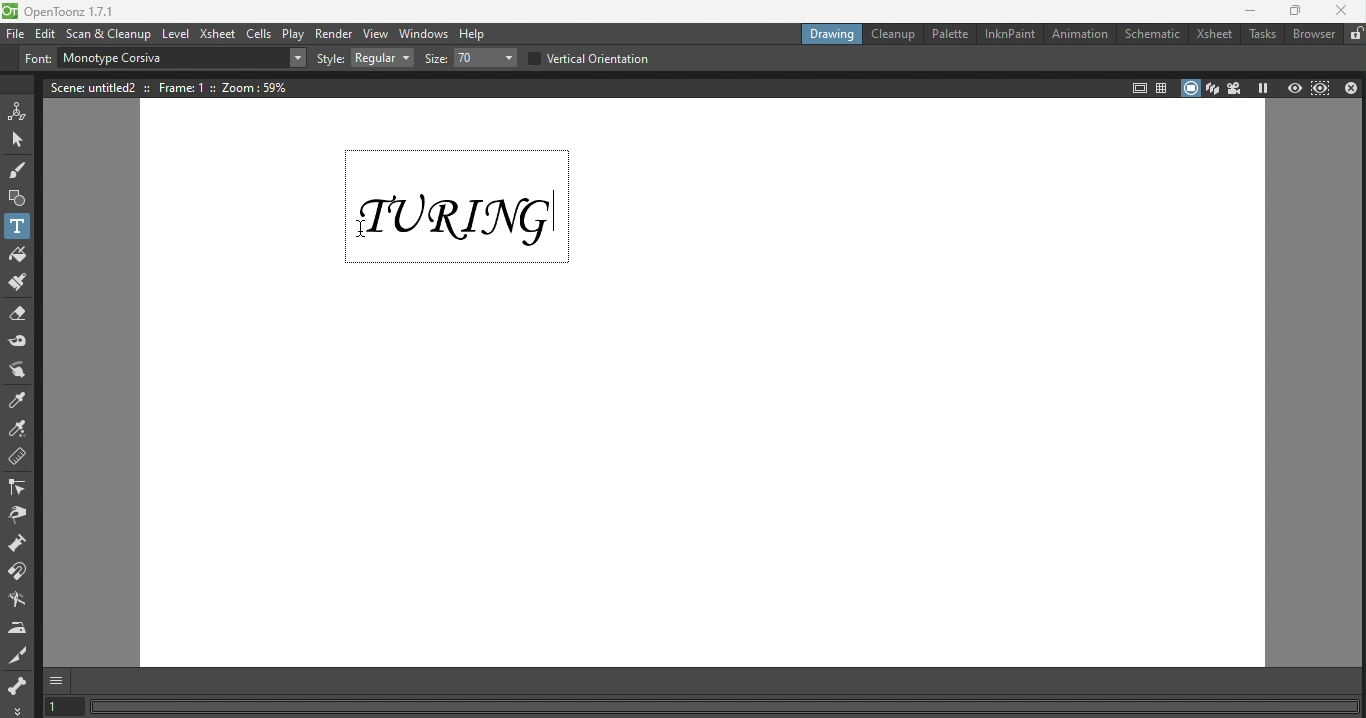  I want to click on Safe area, so click(1139, 87).